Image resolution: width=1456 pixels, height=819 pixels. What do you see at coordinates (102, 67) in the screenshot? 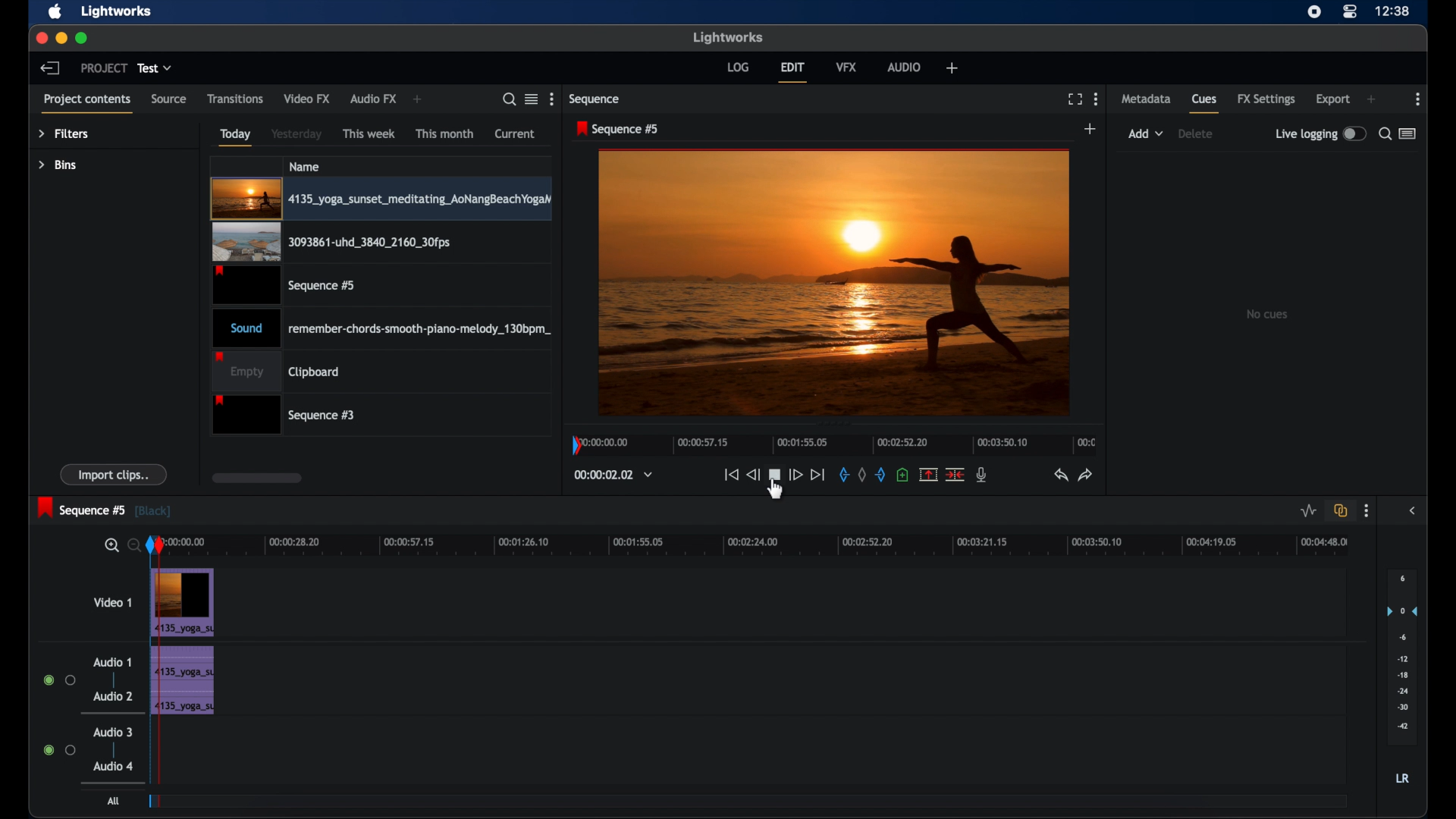
I see `project` at bounding box center [102, 67].